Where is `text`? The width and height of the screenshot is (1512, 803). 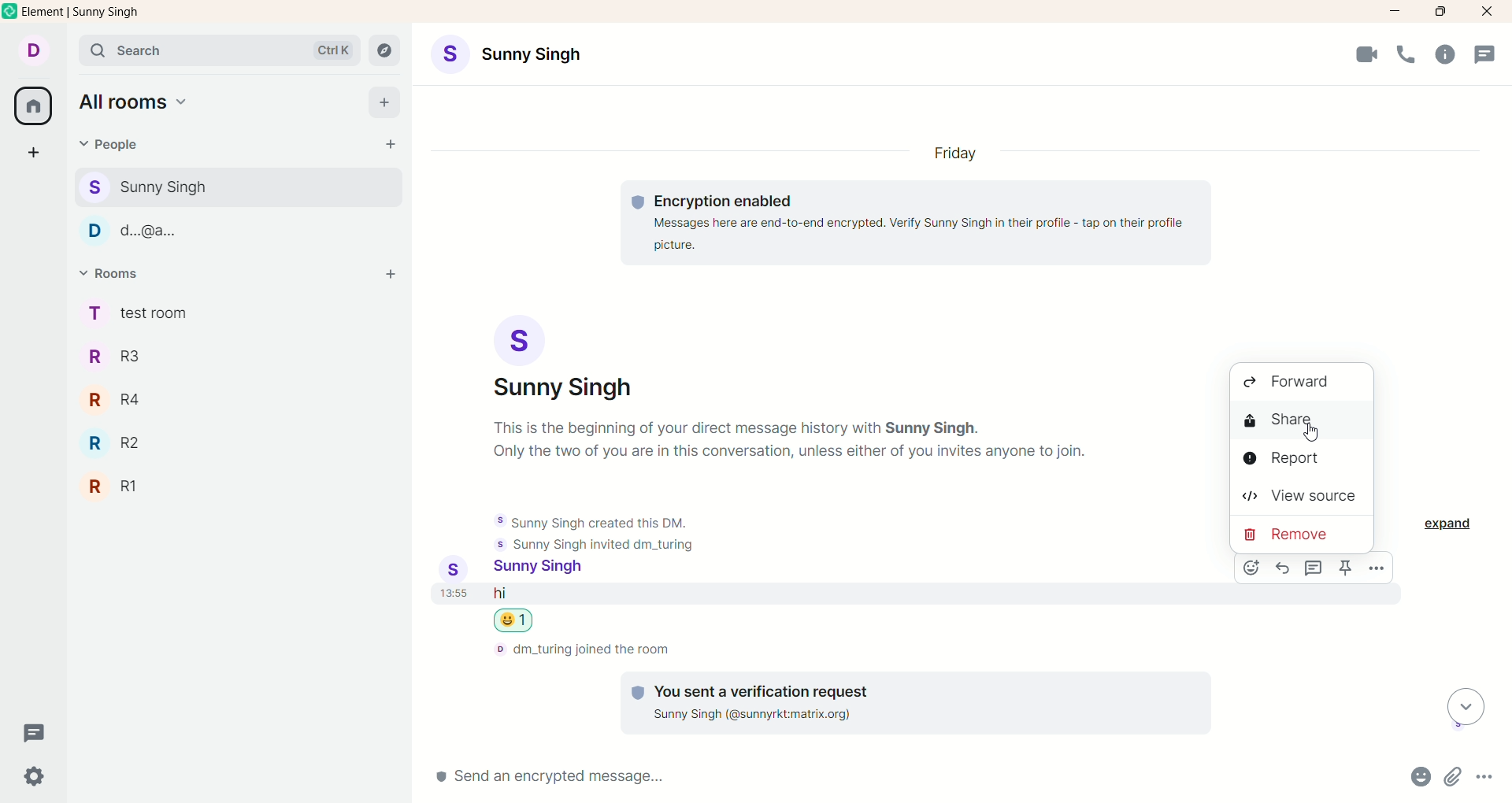 text is located at coordinates (593, 530).